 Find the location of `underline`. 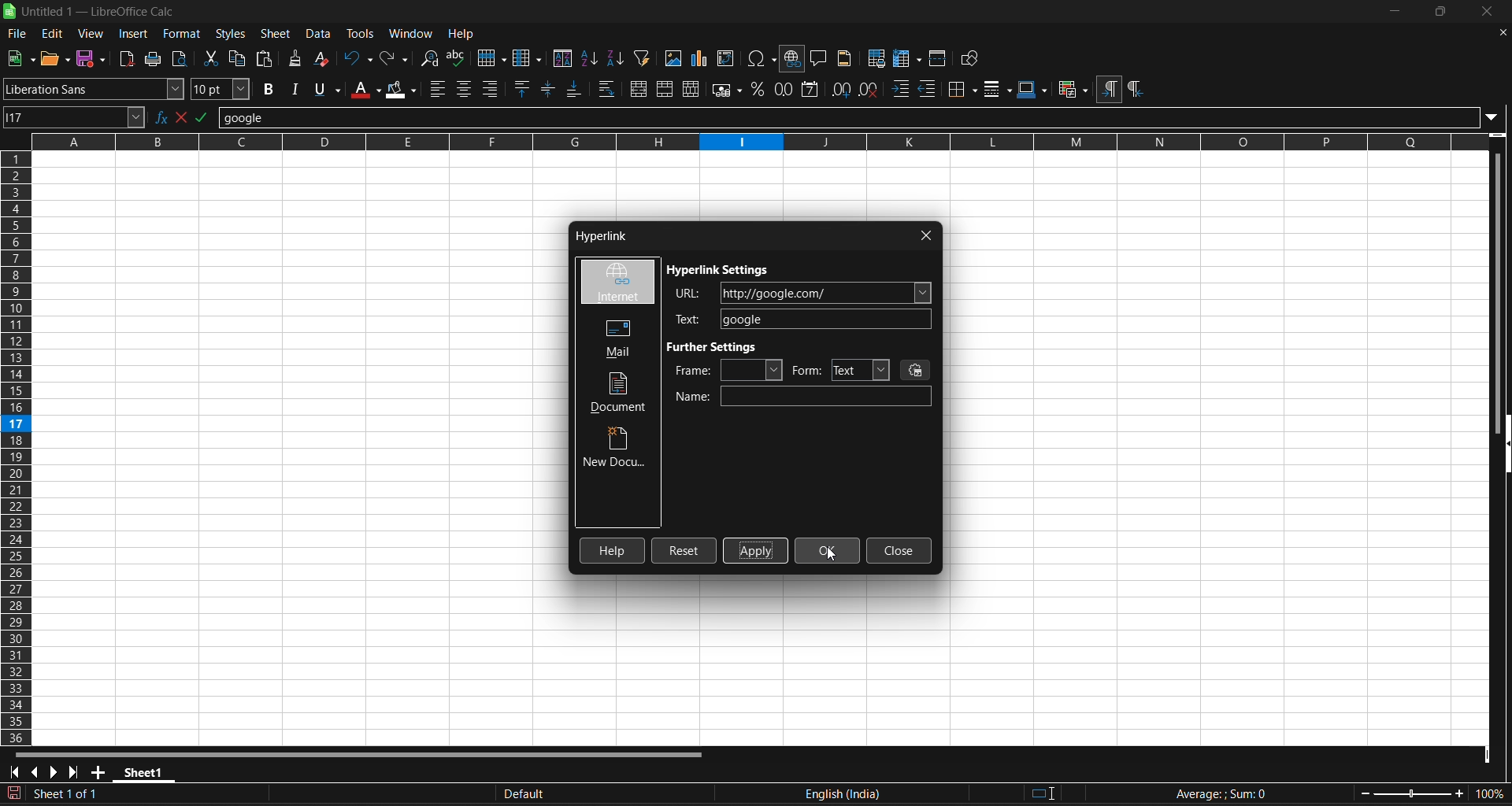

underline is located at coordinates (326, 89).